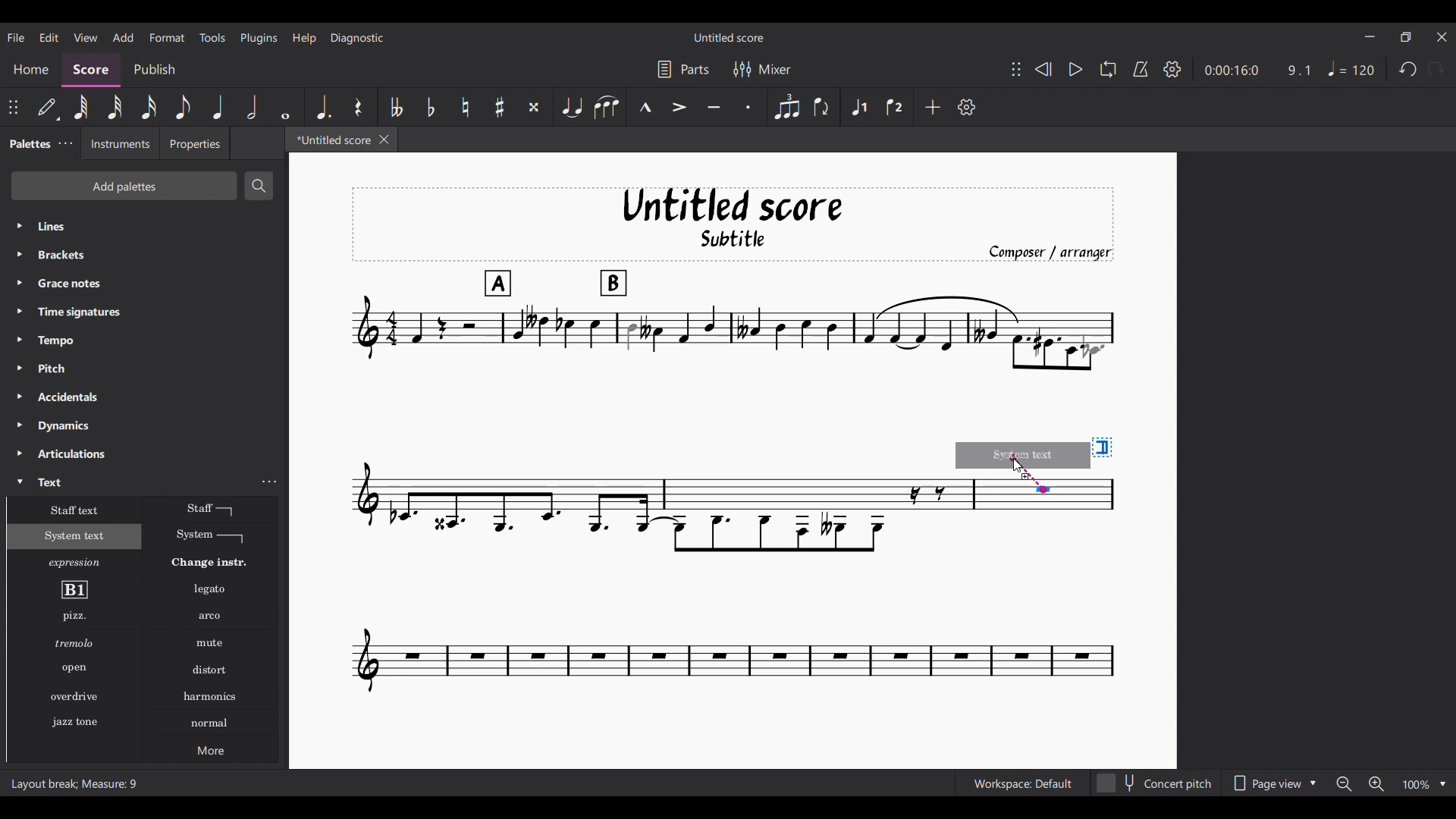  What do you see at coordinates (1037, 596) in the screenshot?
I see `Current score` at bounding box center [1037, 596].